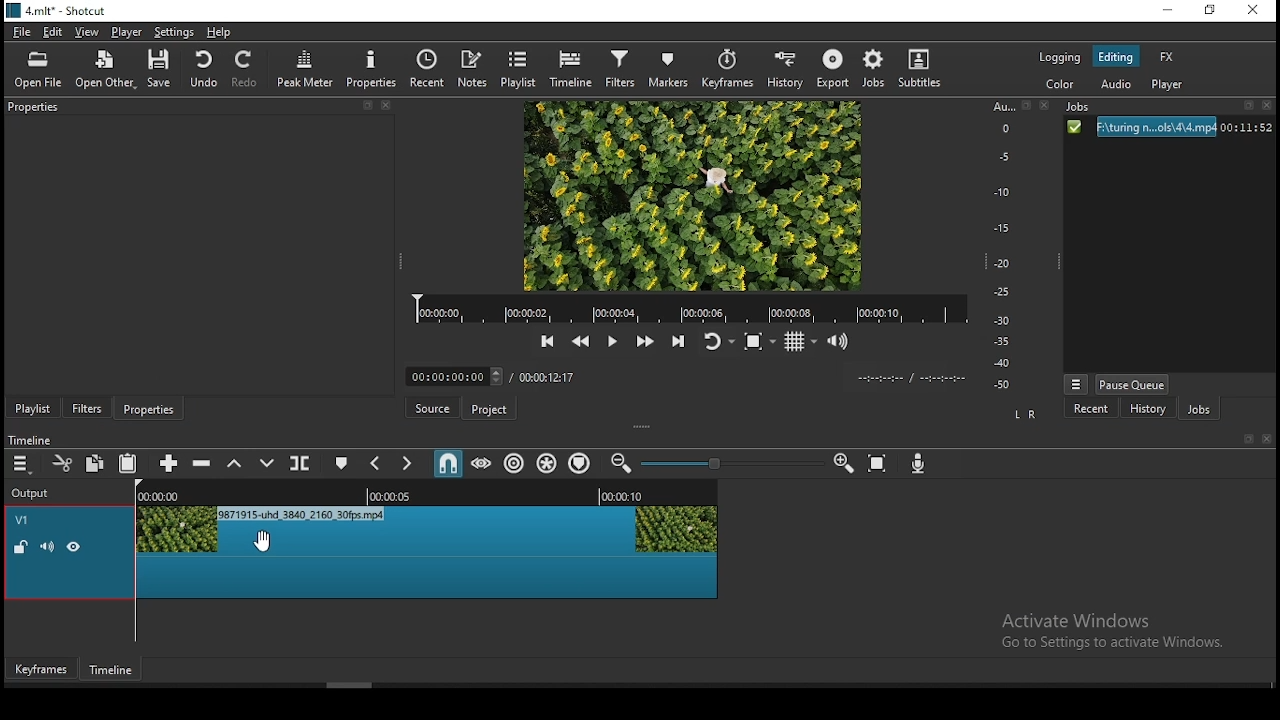 The image size is (1280, 720). What do you see at coordinates (799, 344) in the screenshot?
I see `toggle grids display` at bounding box center [799, 344].